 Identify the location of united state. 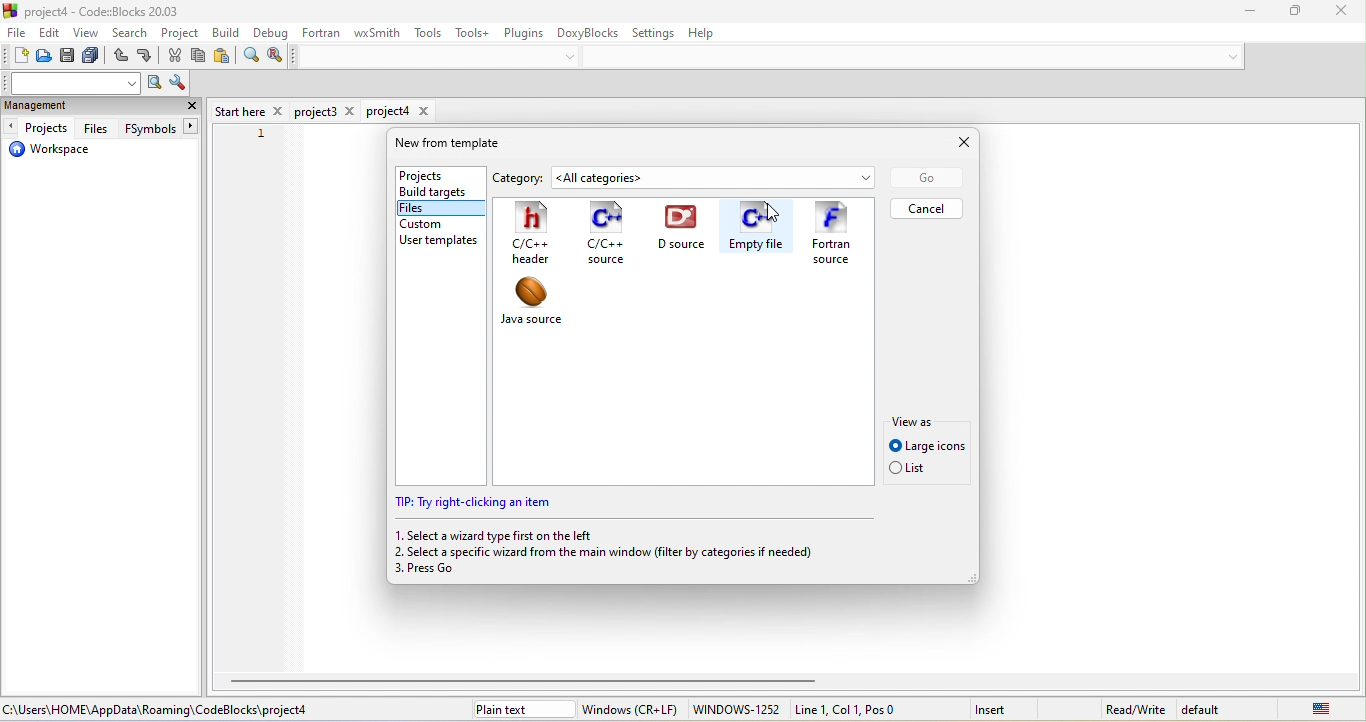
(1307, 708).